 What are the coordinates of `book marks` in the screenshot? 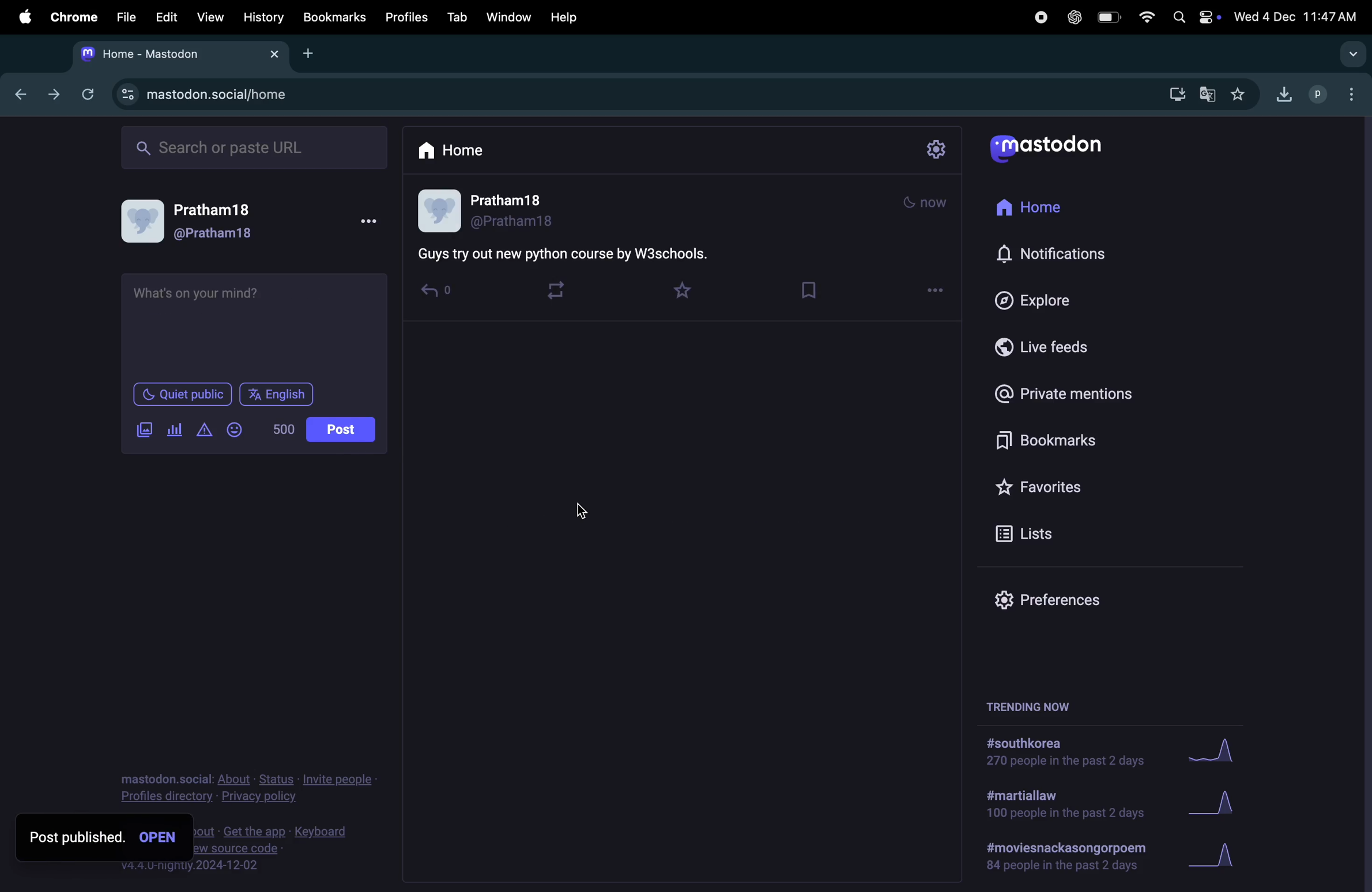 It's located at (1058, 436).